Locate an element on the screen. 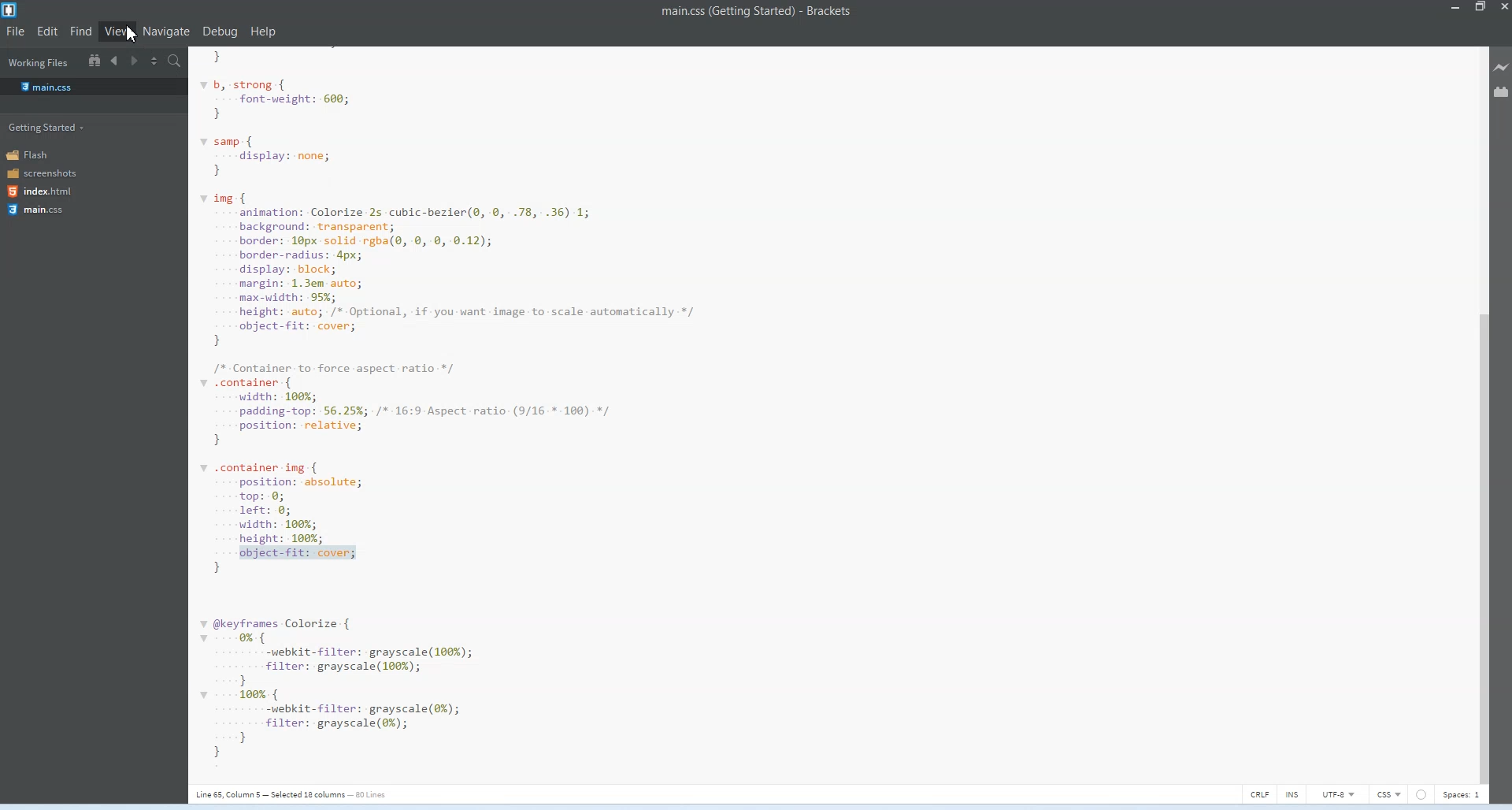  Image Aspect ratio and Color Displayed code for end result image output is located at coordinates (471, 411).